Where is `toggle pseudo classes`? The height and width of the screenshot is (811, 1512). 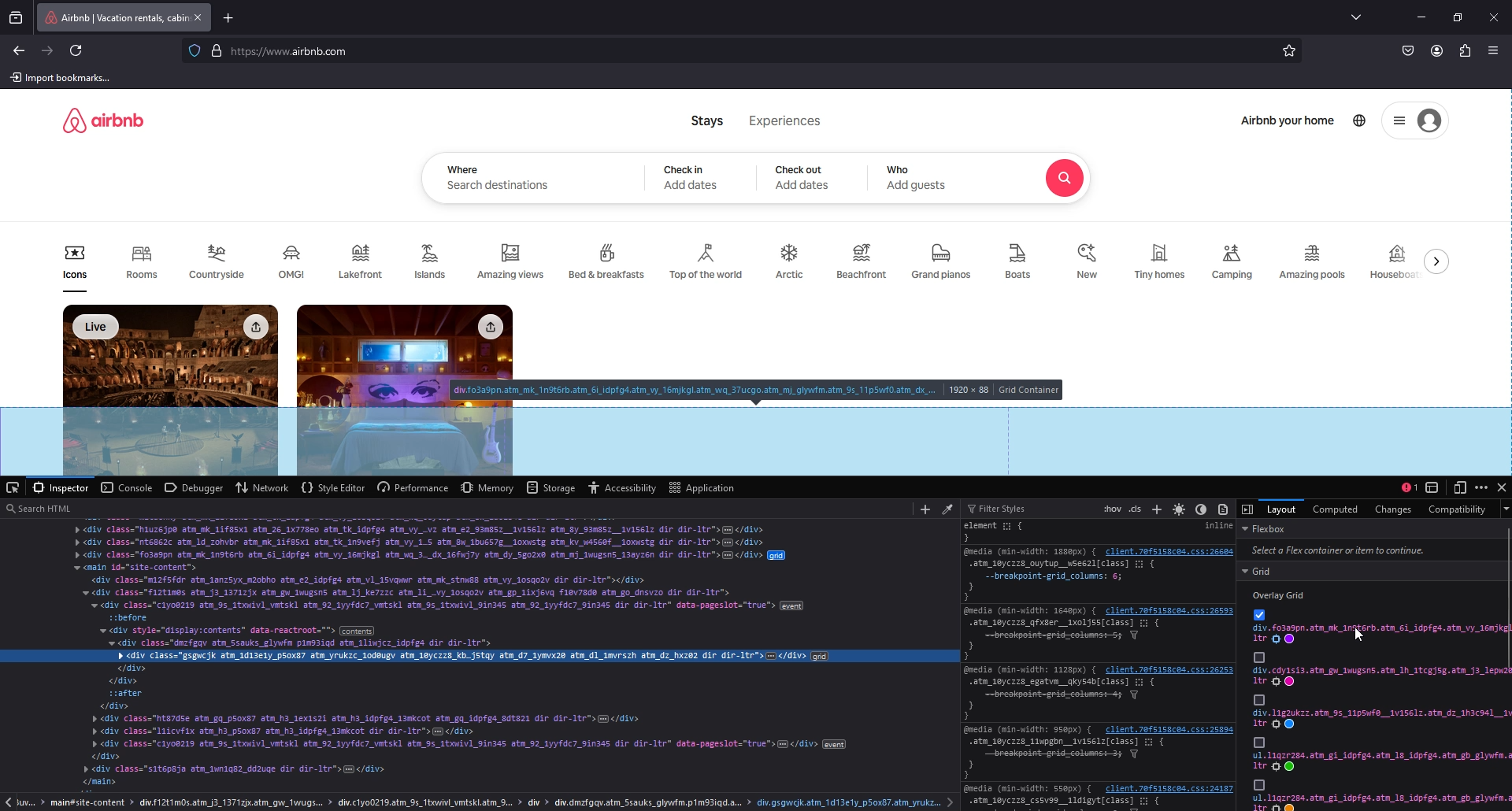 toggle pseudo classes is located at coordinates (1111, 507).